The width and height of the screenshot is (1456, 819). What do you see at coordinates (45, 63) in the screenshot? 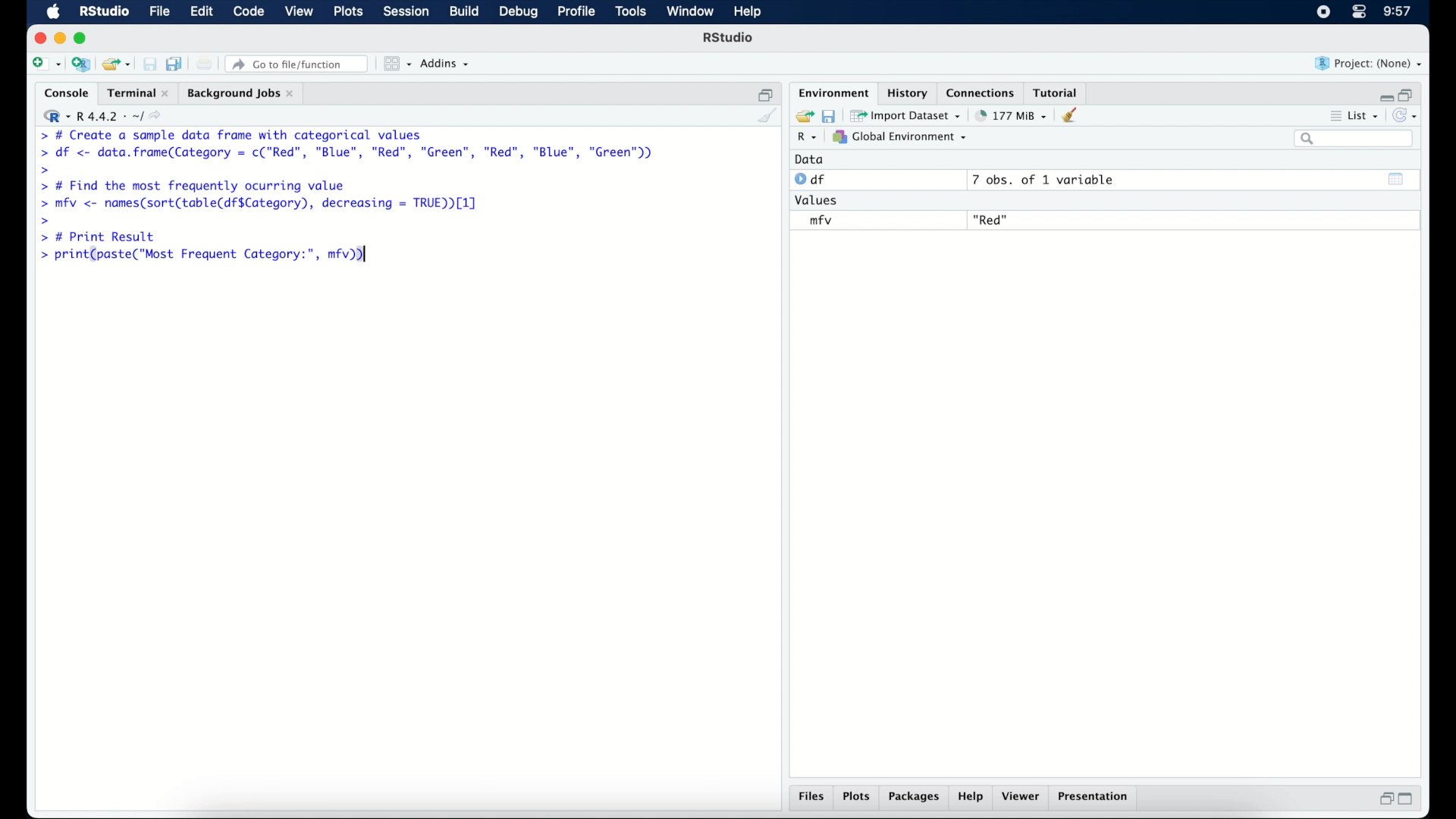
I see `new file` at bounding box center [45, 63].